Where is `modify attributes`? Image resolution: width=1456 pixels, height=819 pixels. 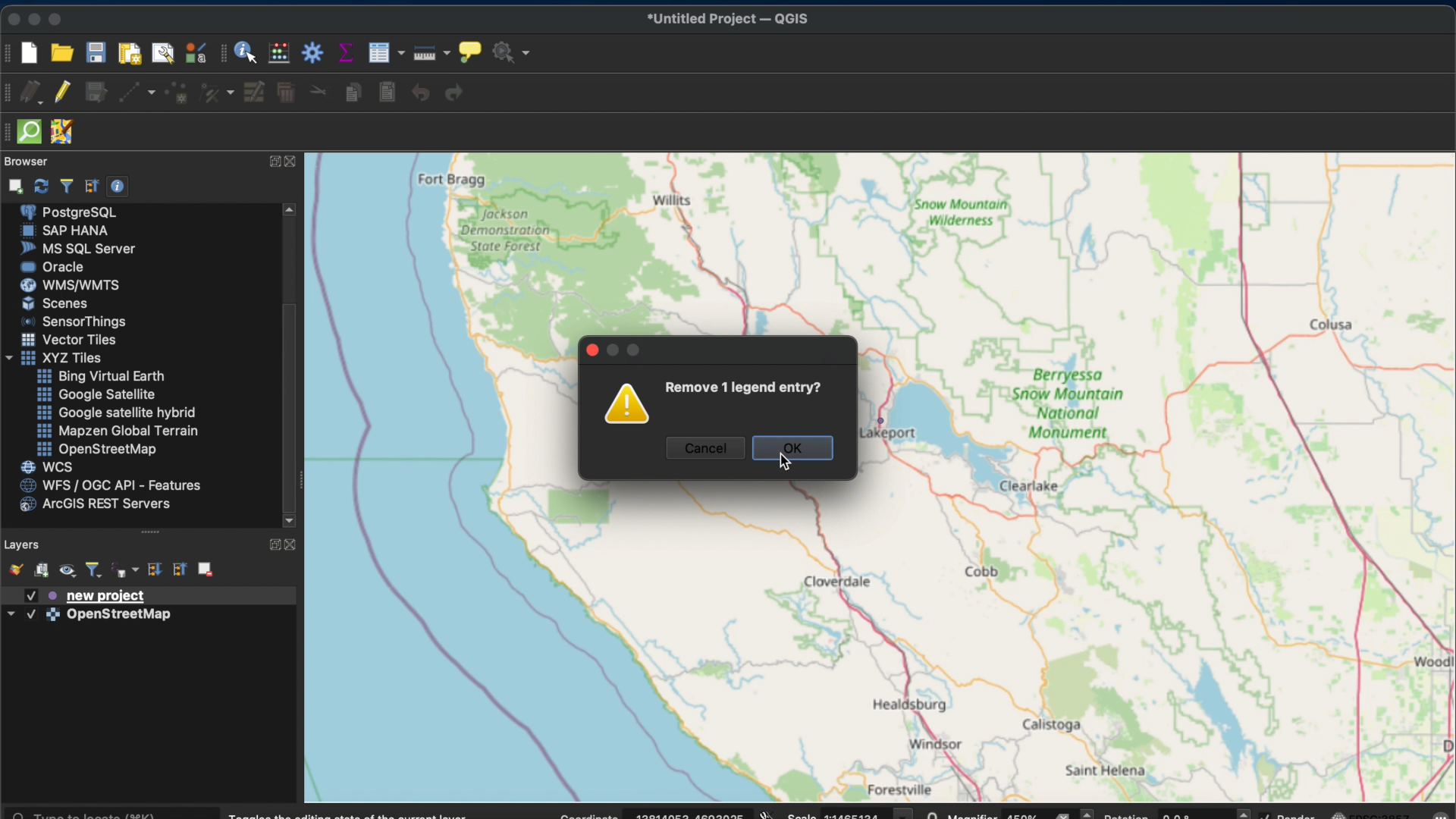 modify attributes is located at coordinates (256, 94).